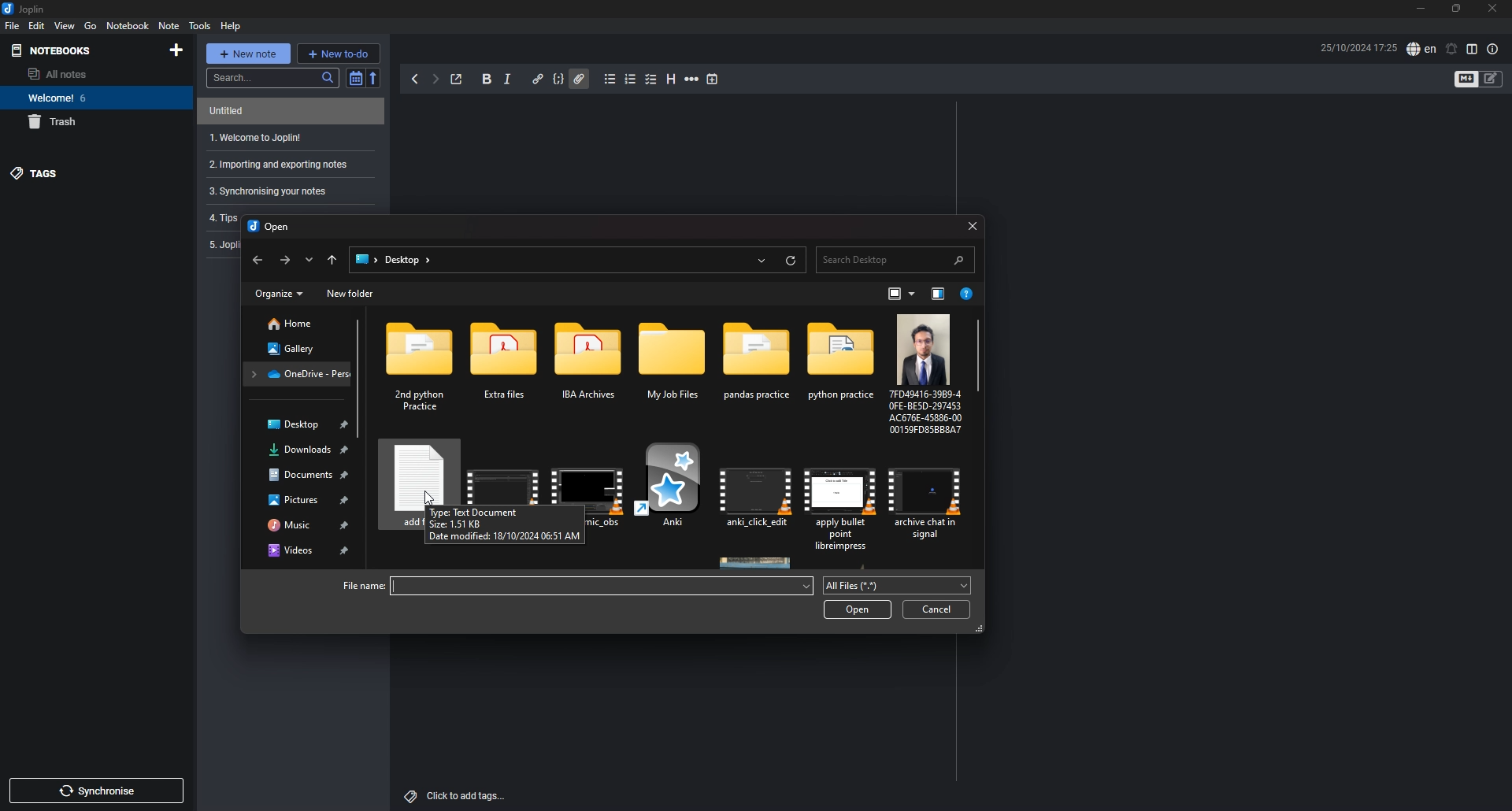 This screenshot has width=1512, height=811. Describe the element at coordinates (790, 261) in the screenshot. I see `reload` at that location.